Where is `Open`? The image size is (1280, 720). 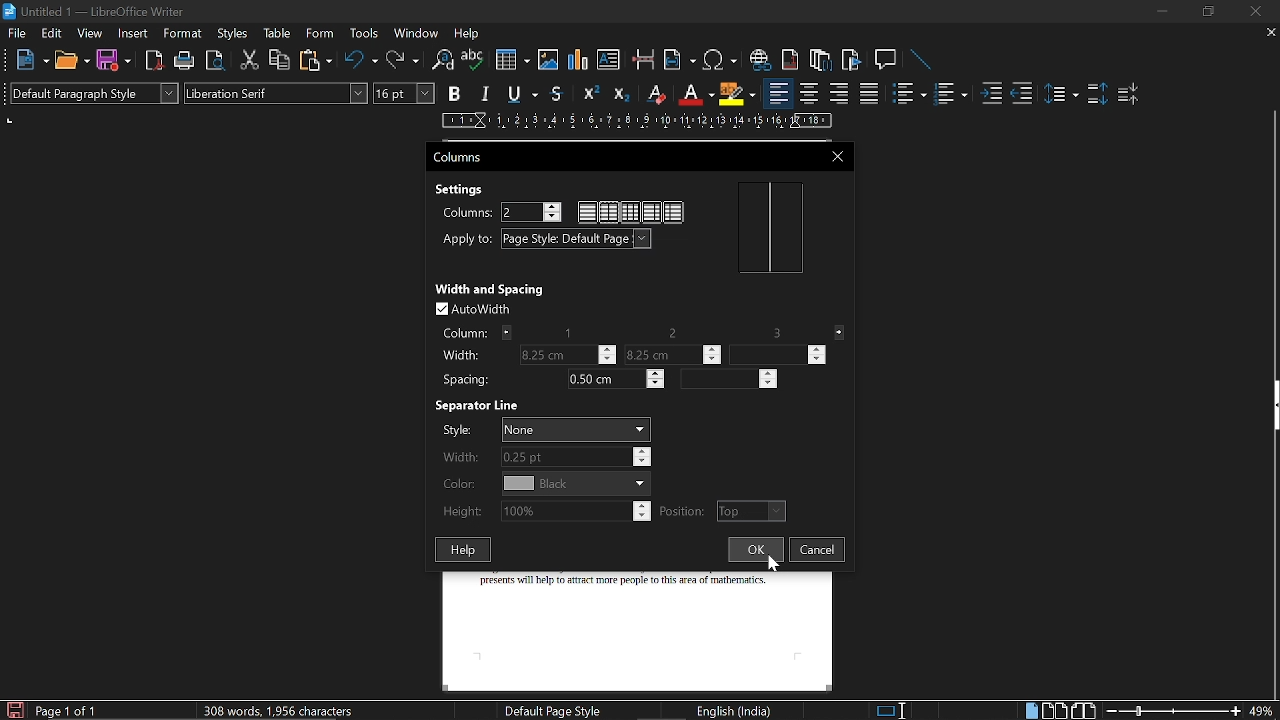
Open is located at coordinates (72, 62).